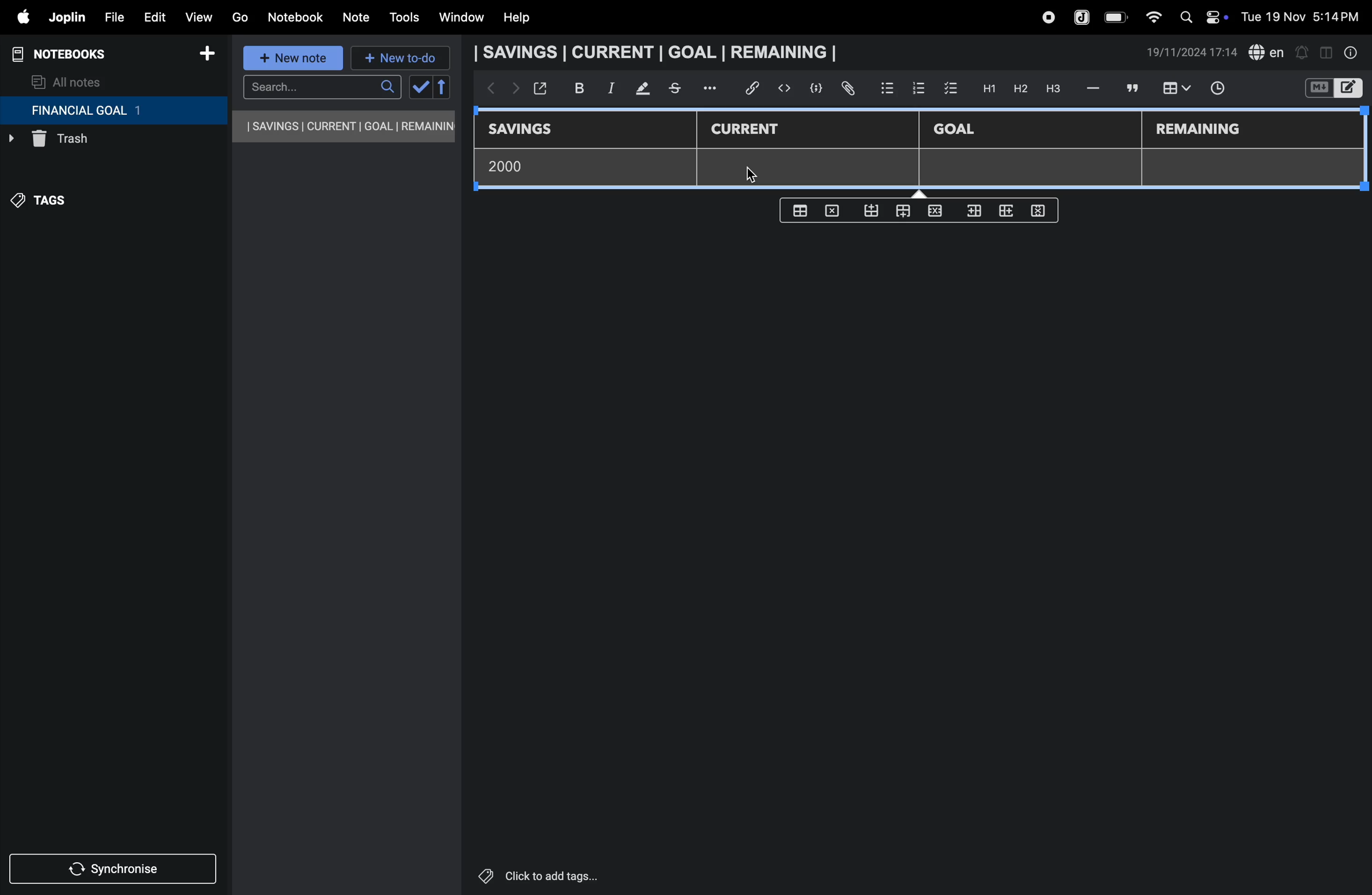  What do you see at coordinates (17, 17) in the screenshot?
I see `apple menu` at bounding box center [17, 17].